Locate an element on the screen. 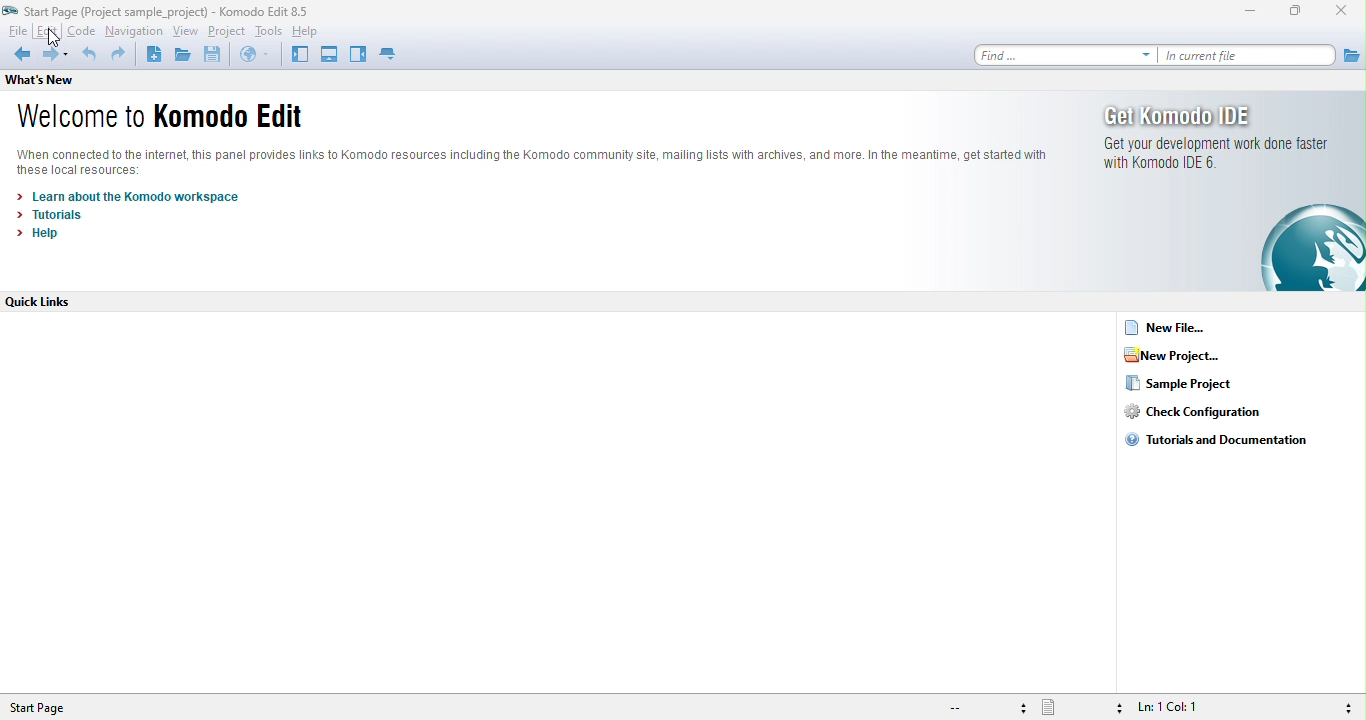 The height and width of the screenshot is (720, 1366). project is located at coordinates (227, 31).